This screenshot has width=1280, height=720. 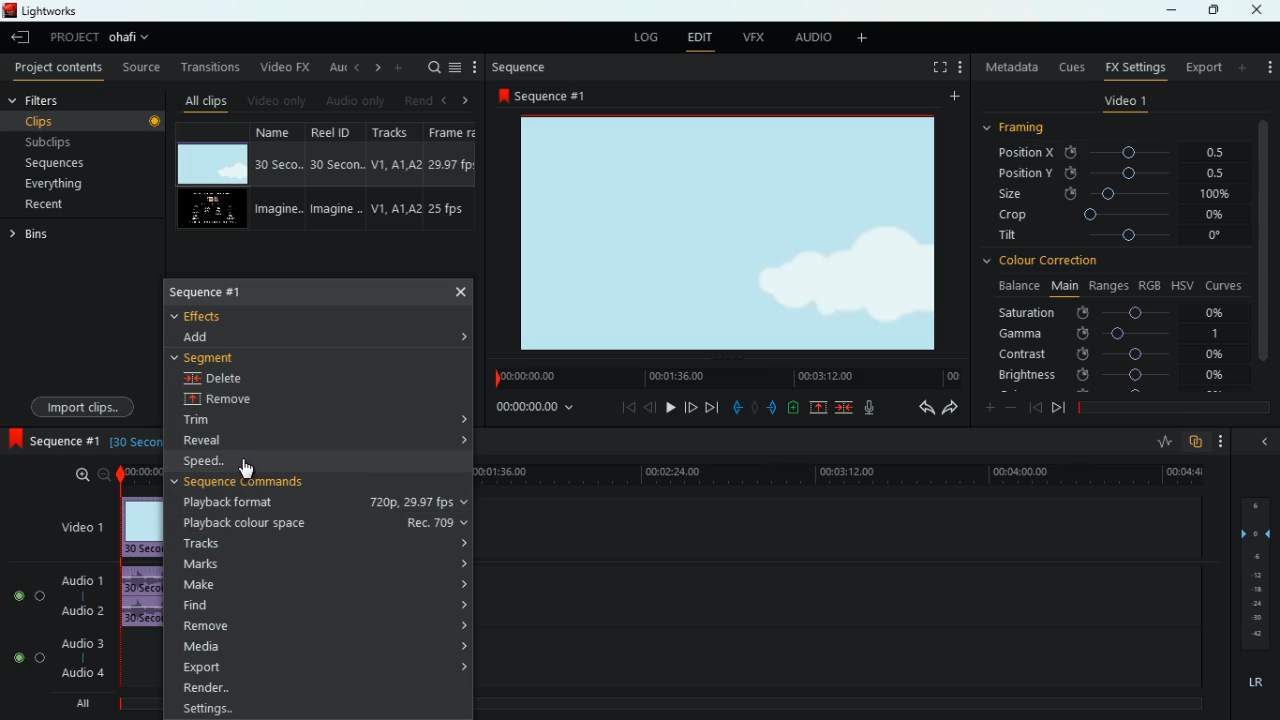 What do you see at coordinates (691, 407) in the screenshot?
I see `forward` at bounding box center [691, 407].